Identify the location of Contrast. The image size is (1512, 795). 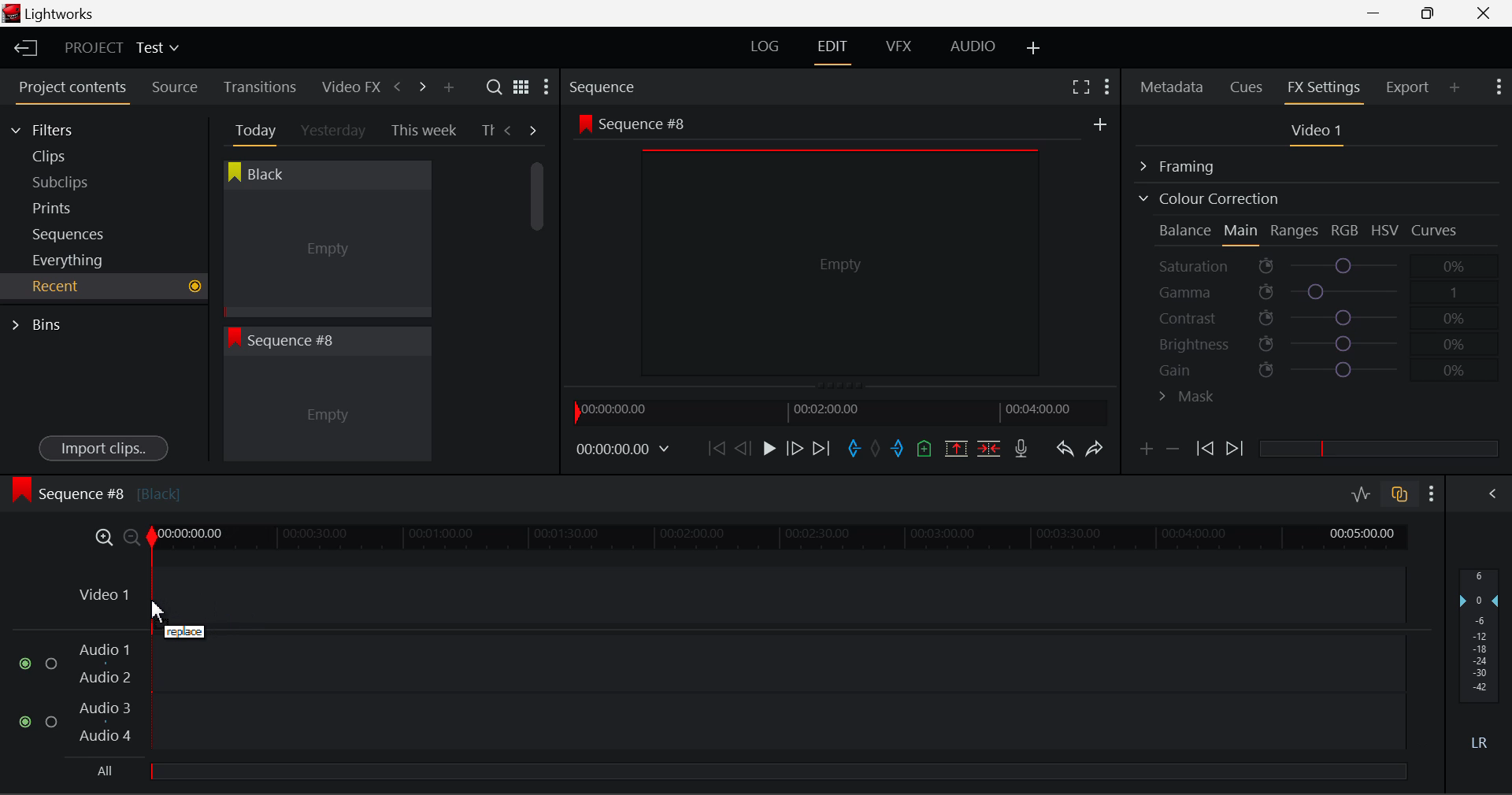
(1318, 317).